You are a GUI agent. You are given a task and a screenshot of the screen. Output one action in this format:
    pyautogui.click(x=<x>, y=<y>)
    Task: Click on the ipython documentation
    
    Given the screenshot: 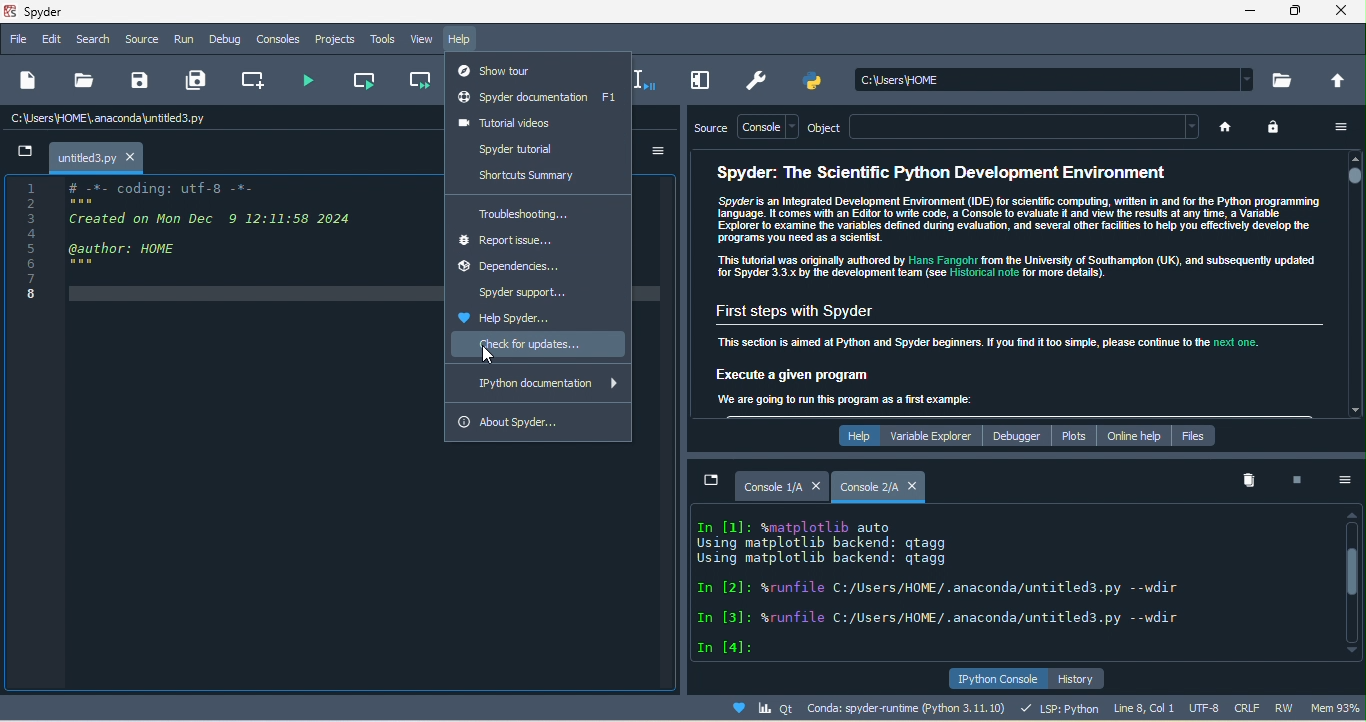 What is the action you would take?
    pyautogui.click(x=543, y=383)
    